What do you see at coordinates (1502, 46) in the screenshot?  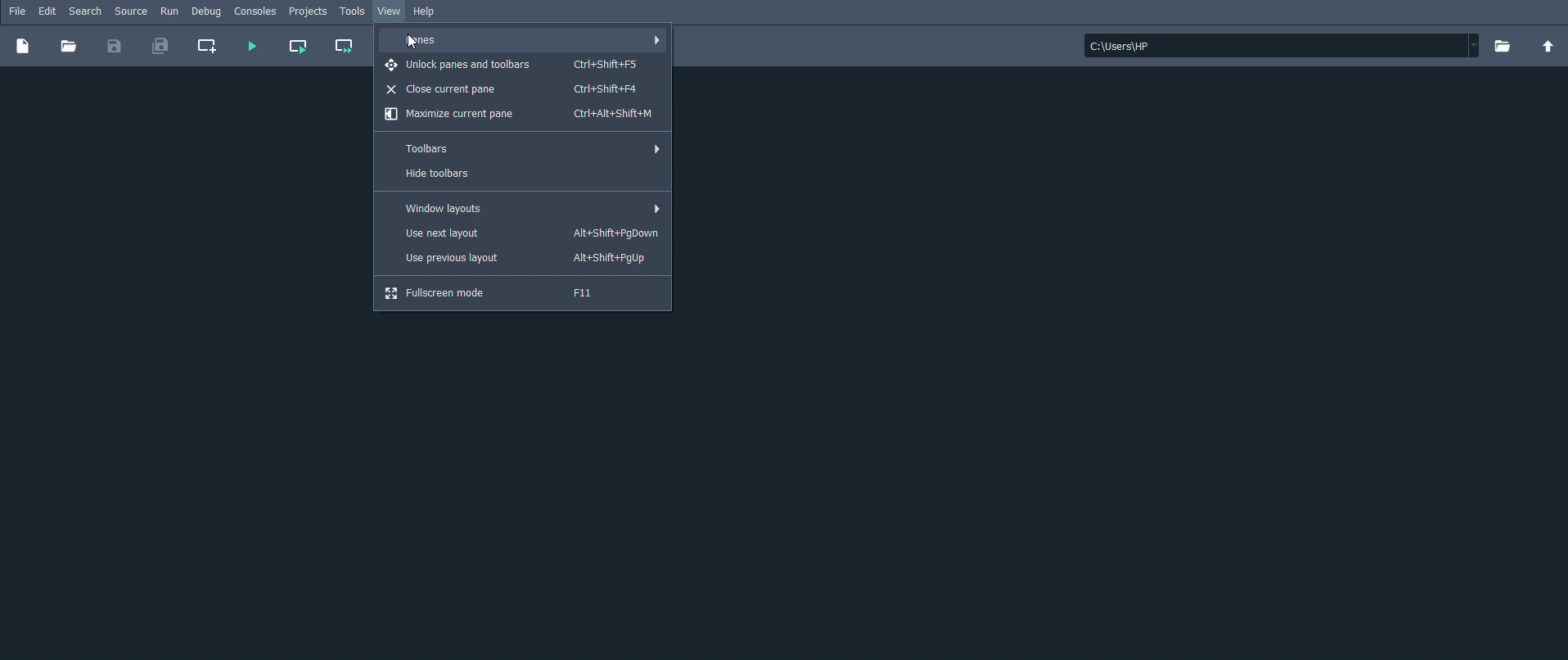 I see `Browse a working directory` at bounding box center [1502, 46].